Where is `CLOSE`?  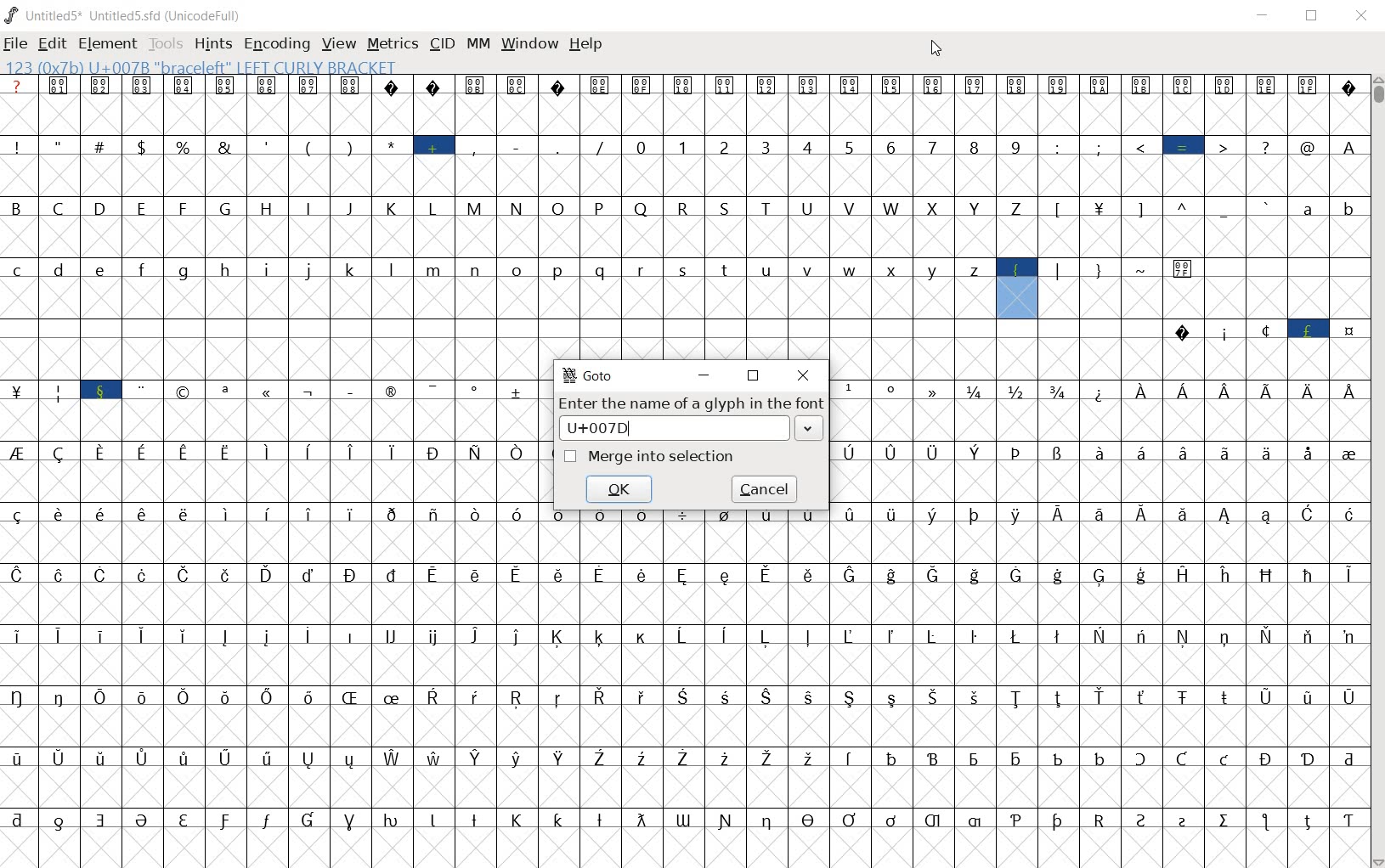 CLOSE is located at coordinates (804, 375).